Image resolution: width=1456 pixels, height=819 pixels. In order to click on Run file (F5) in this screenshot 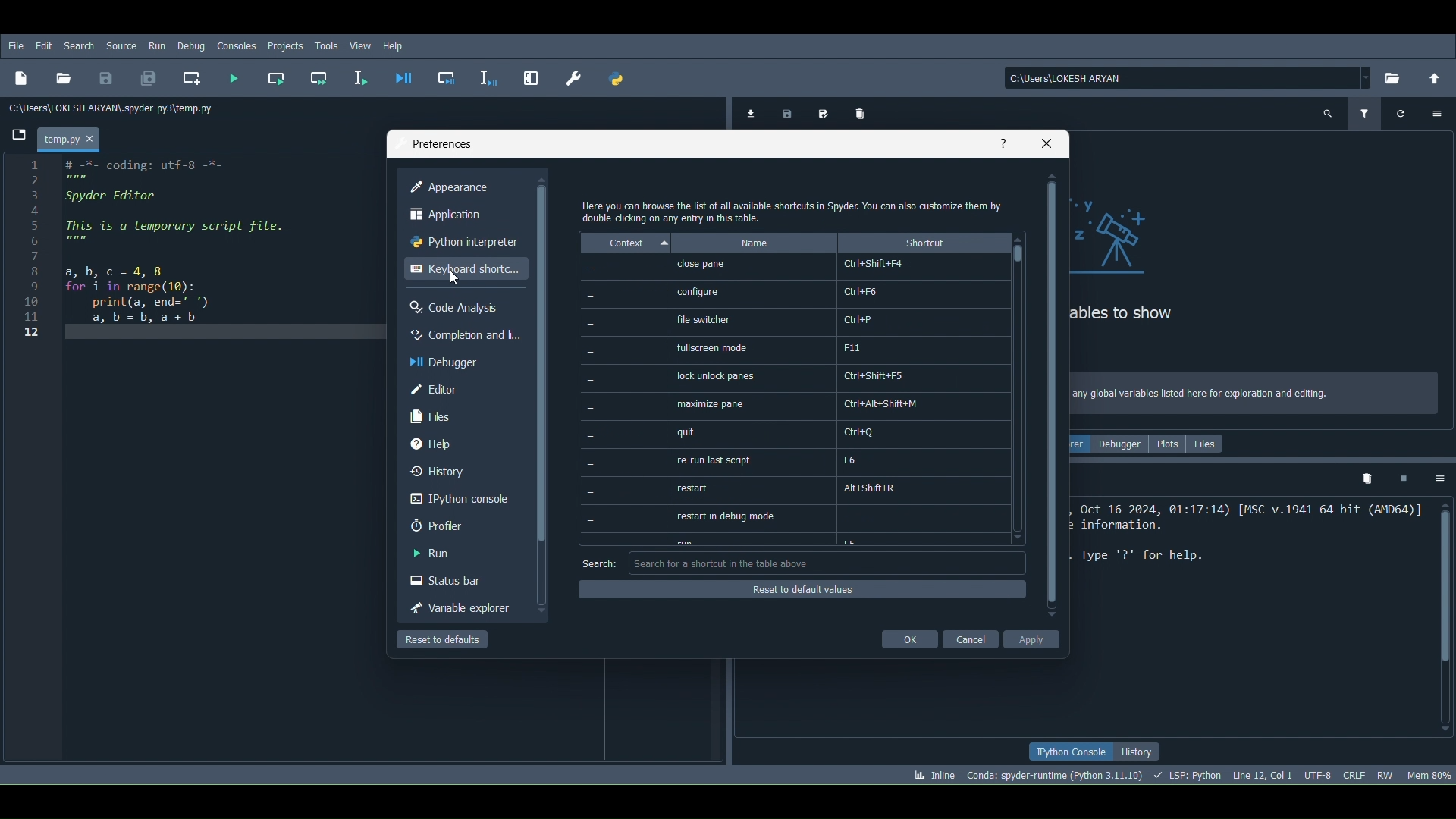, I will do `click(234, 77)`.